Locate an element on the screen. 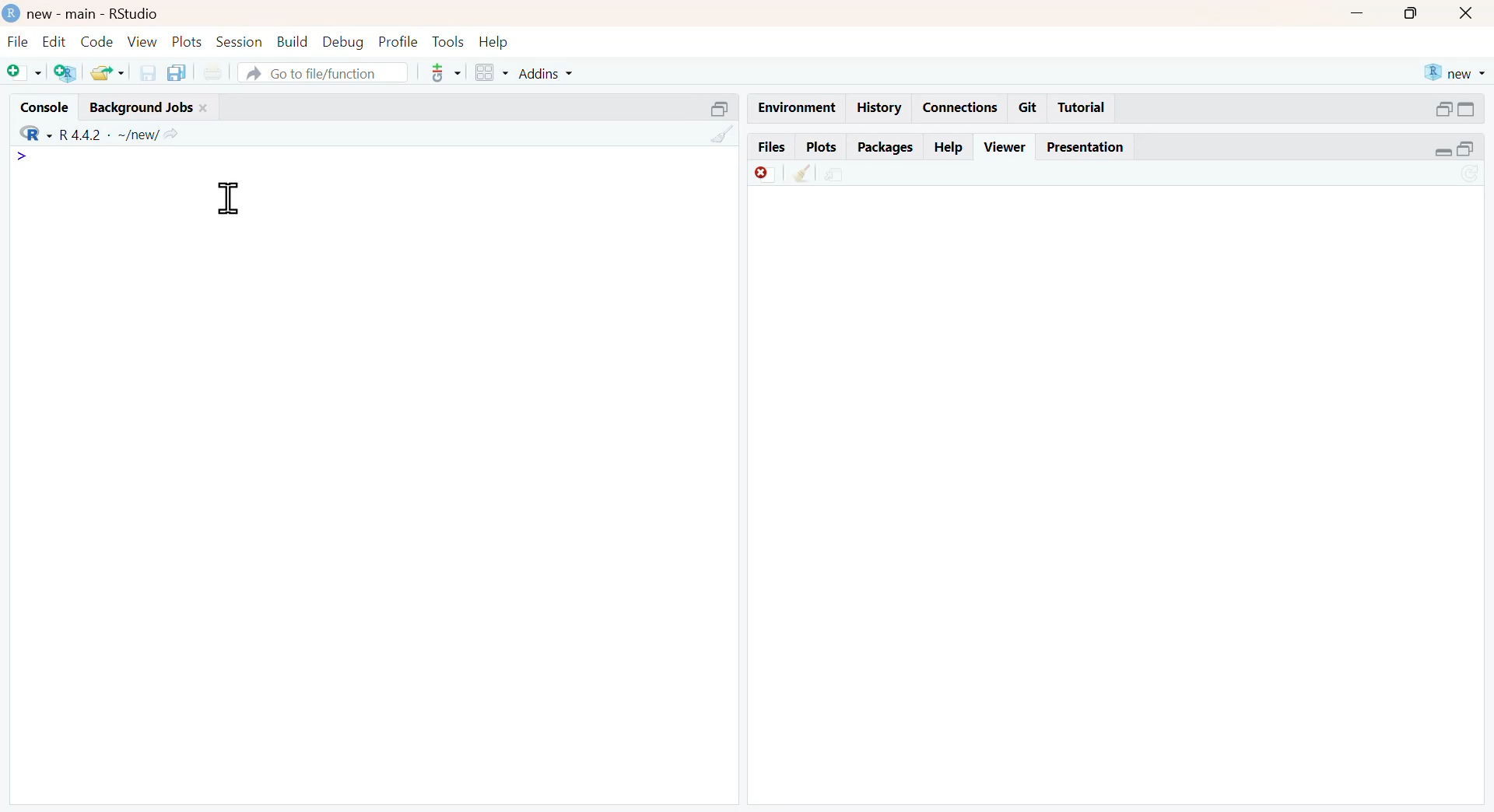 This screenshot has width=1494, height=812. new - main - RStudio is located at coordinates (96, 13).